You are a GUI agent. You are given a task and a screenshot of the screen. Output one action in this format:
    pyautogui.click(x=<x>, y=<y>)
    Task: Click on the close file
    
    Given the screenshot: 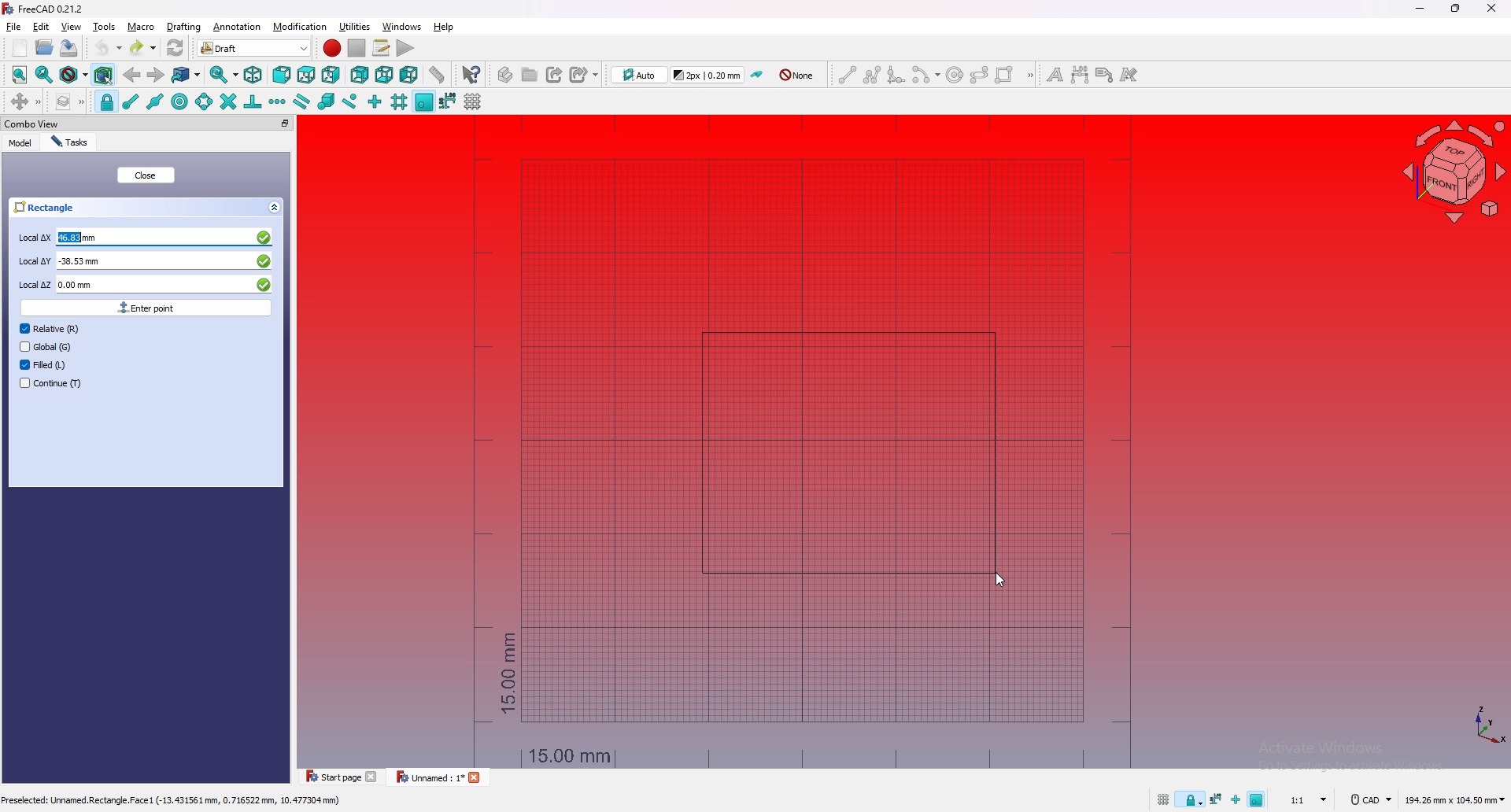 What is the action you would take?
    pyautogui.click(x=478, y=779)
    